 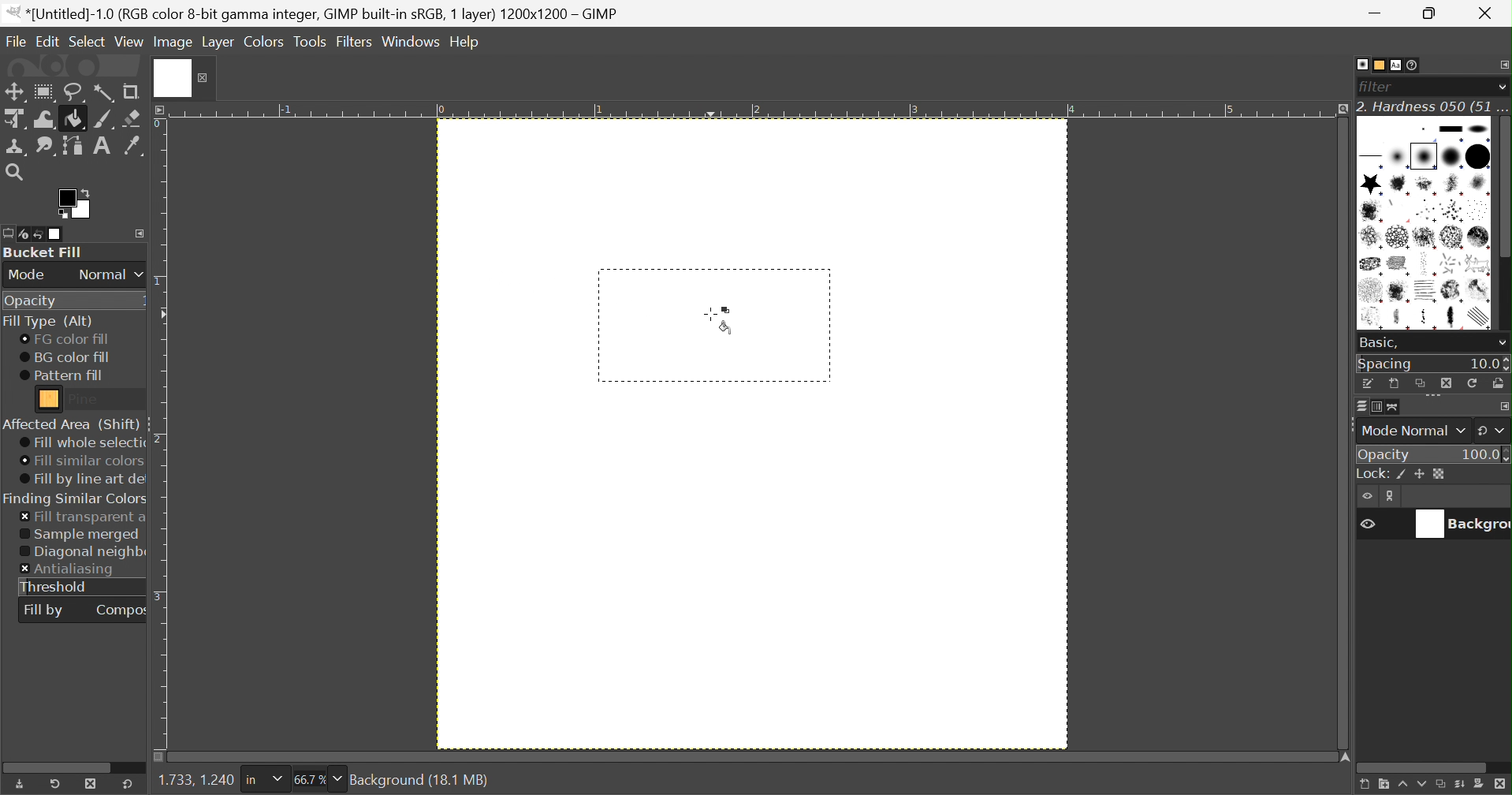 What do you see at coordinates (1361, 406) in the screenshot?
I see `Layers` at bounding box center [1361, 406].